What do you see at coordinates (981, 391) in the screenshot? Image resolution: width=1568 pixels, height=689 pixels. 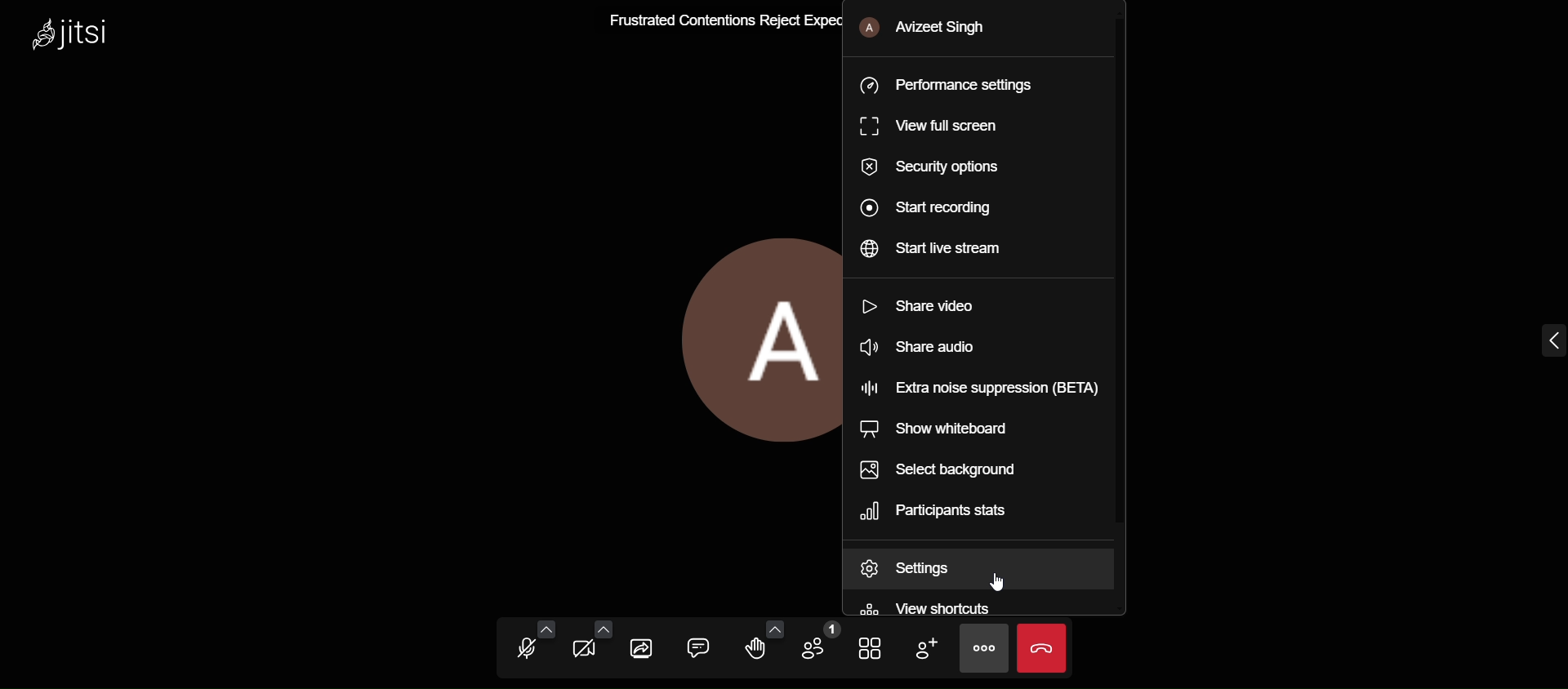 I see `extra noise suppression` at bounding box center [981, 391].